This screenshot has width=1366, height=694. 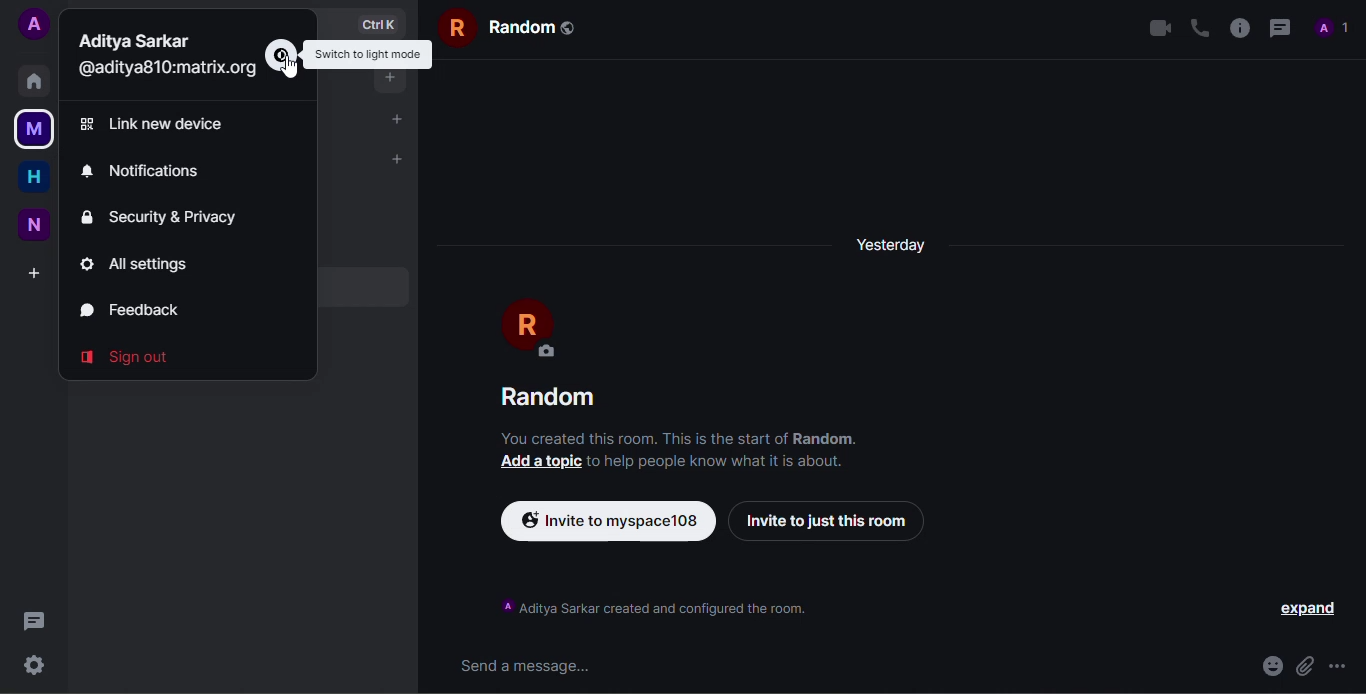 I want to click on send message, so click(x=533, y=665).